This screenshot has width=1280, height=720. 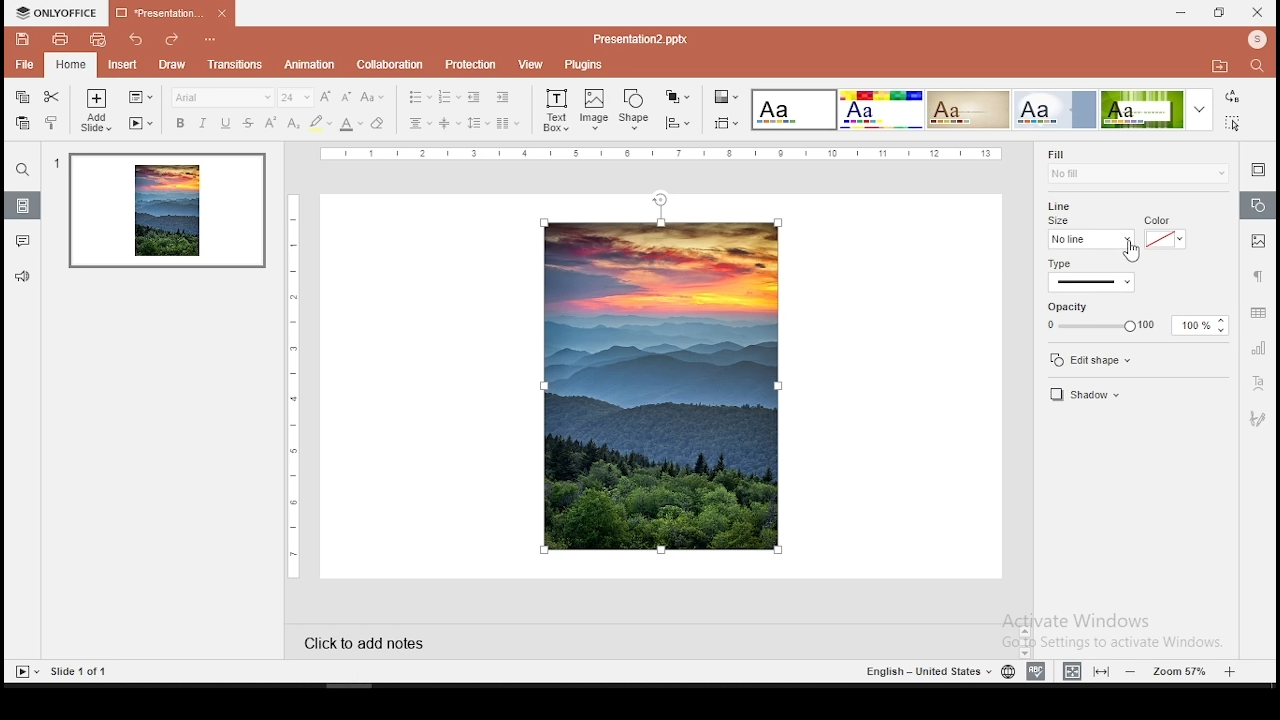 I want to click on paragraph settings, so click(x=1256, y=276).